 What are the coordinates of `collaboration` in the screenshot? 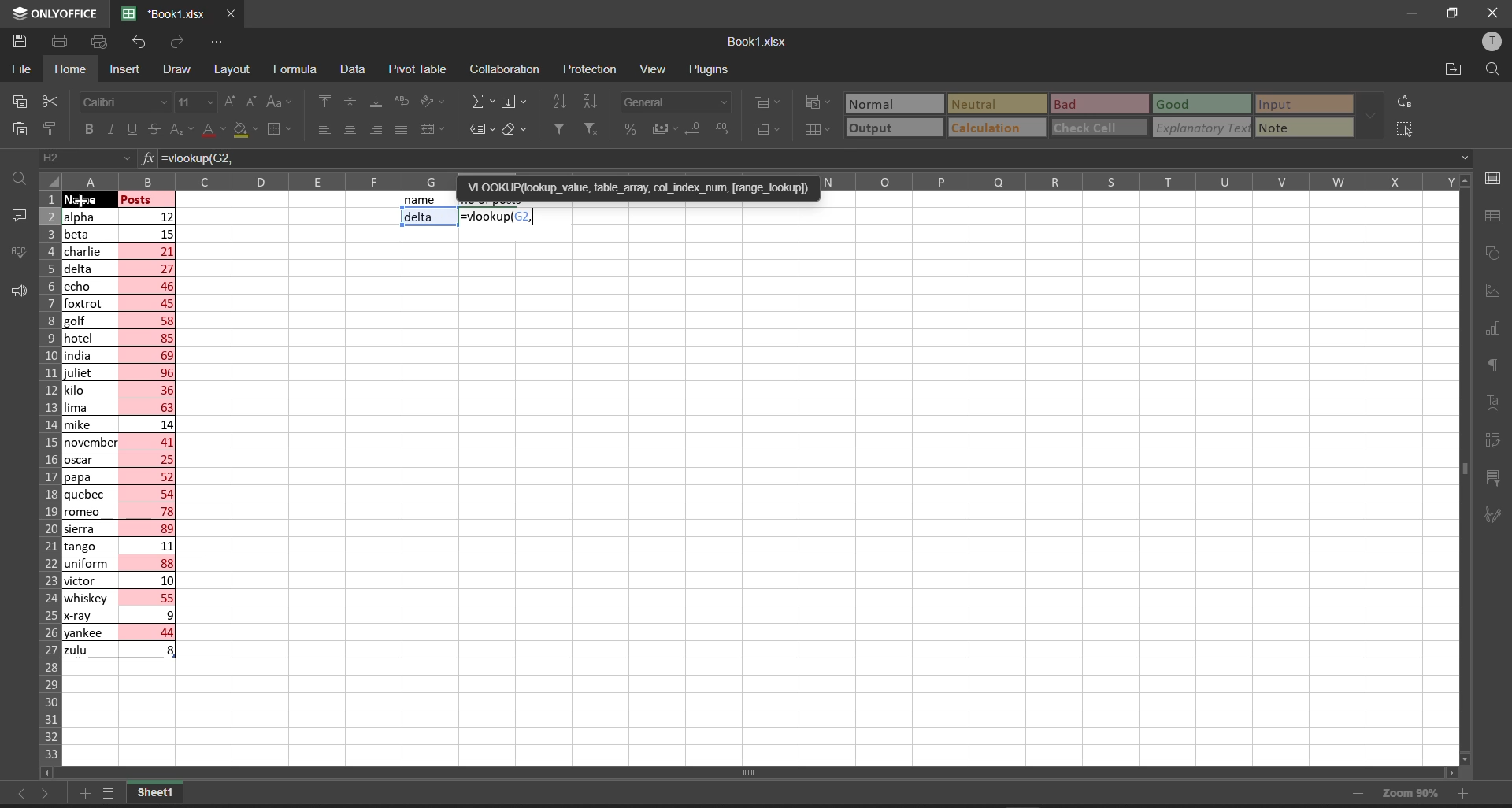 It's located at (507, 69).